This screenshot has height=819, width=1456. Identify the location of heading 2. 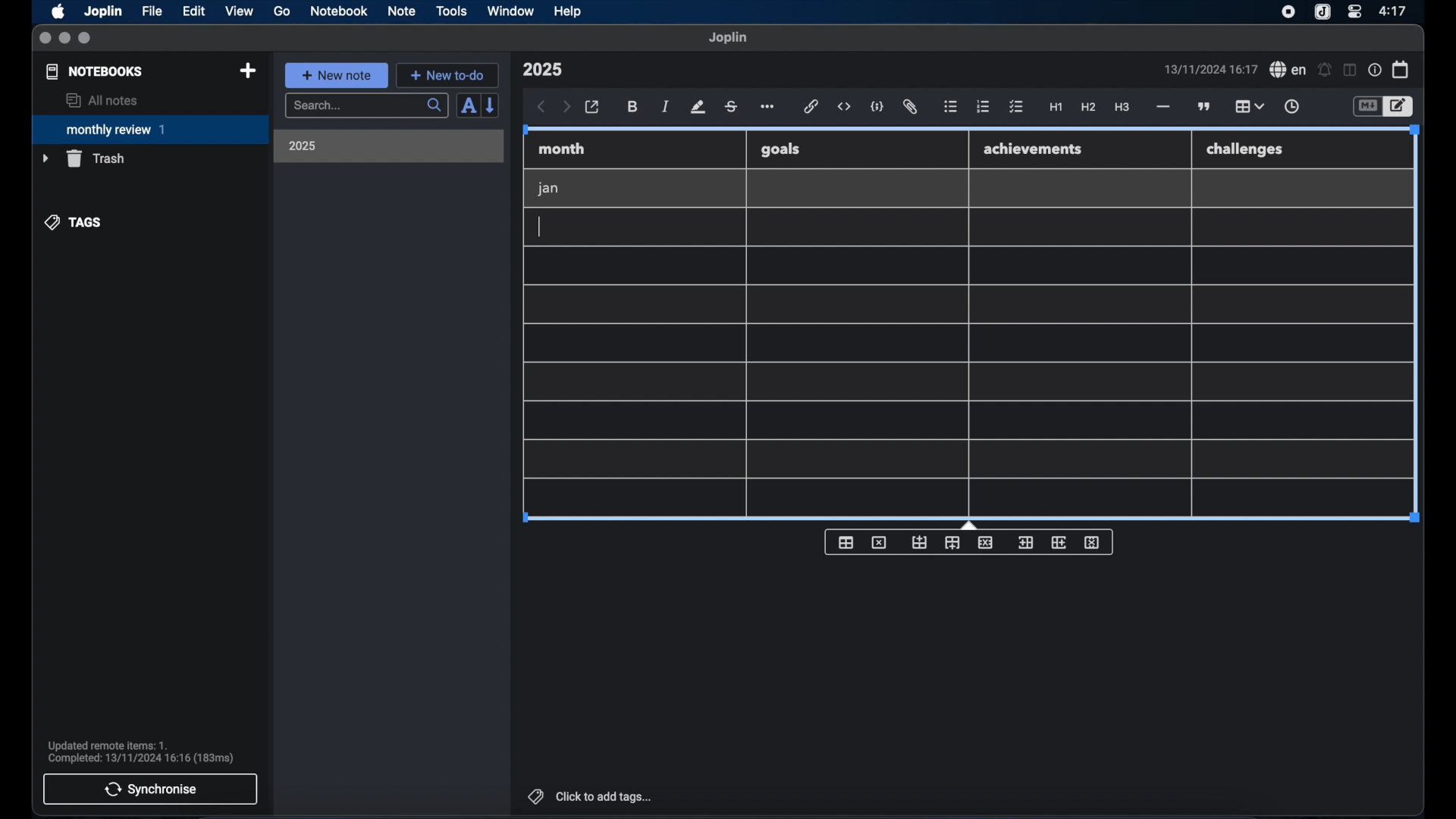
(1089, 108).